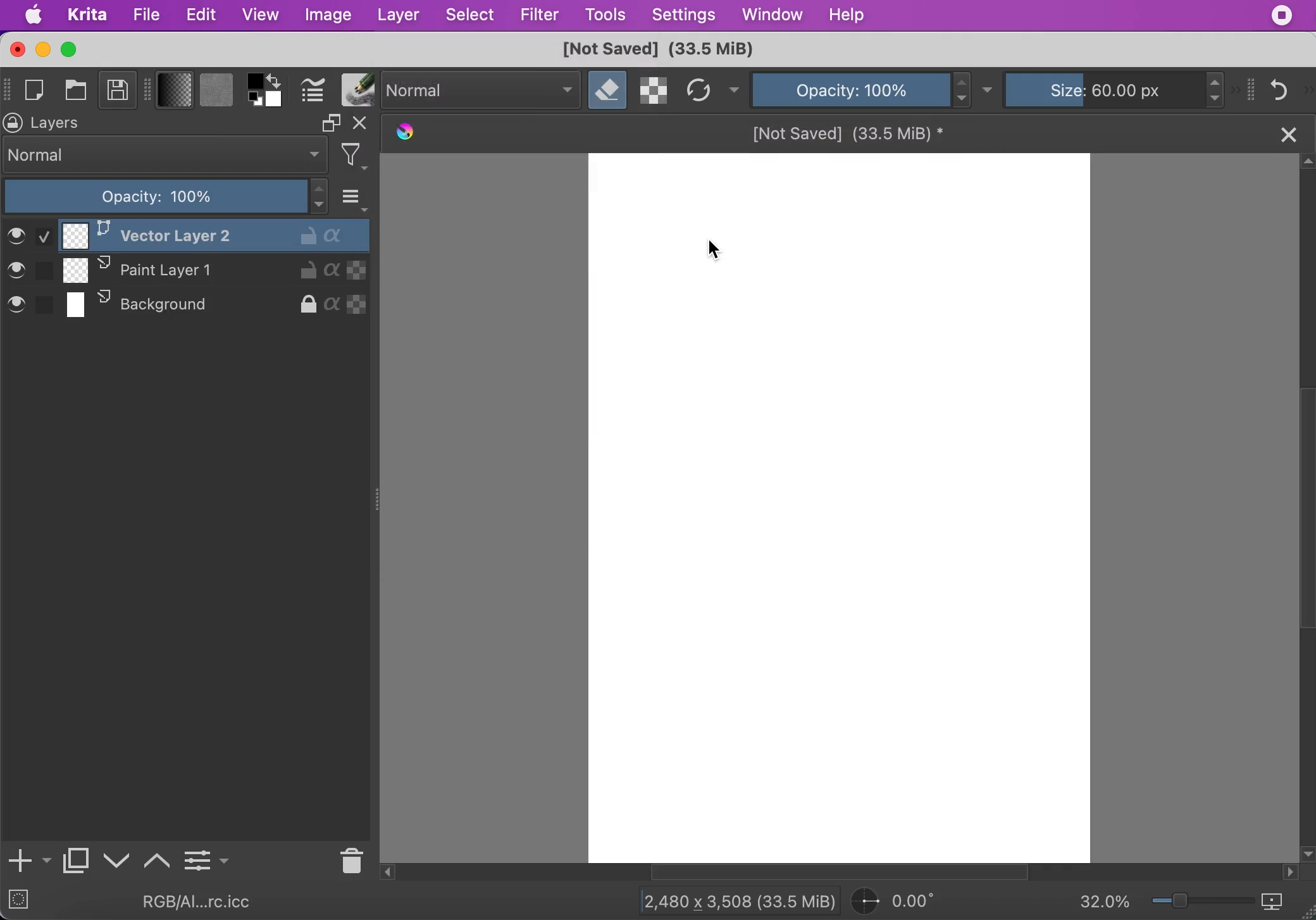 The image size is (1316, 920). Describe the element at coordinates (1281, 902) in the screenshot. I see `map the display canvas size between pixel size or print size` at that location.